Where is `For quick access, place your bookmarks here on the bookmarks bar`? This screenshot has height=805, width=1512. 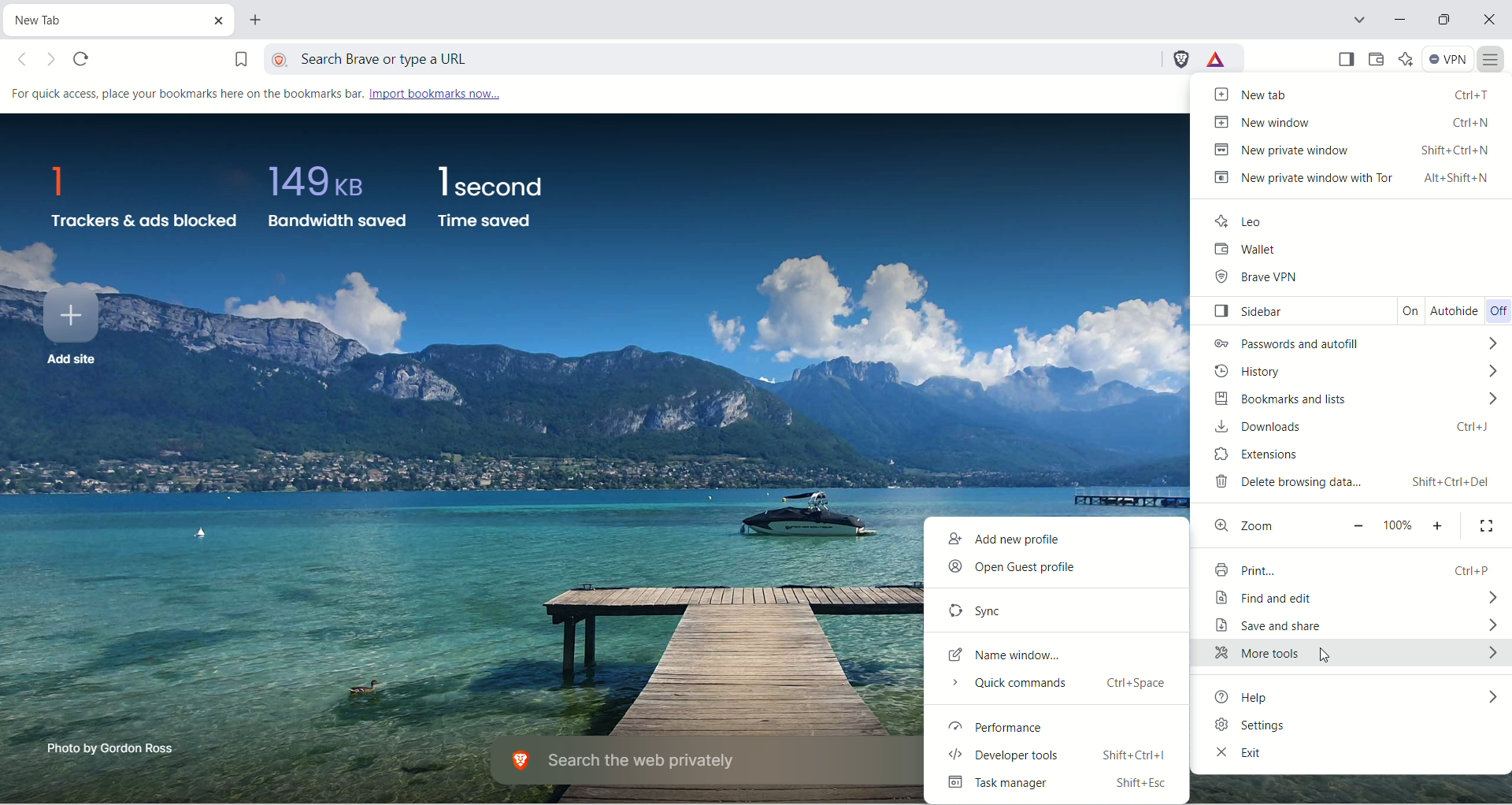 For quick access, place your bookmarks here on the bookmarks bar is located at coordinates (183, 95).